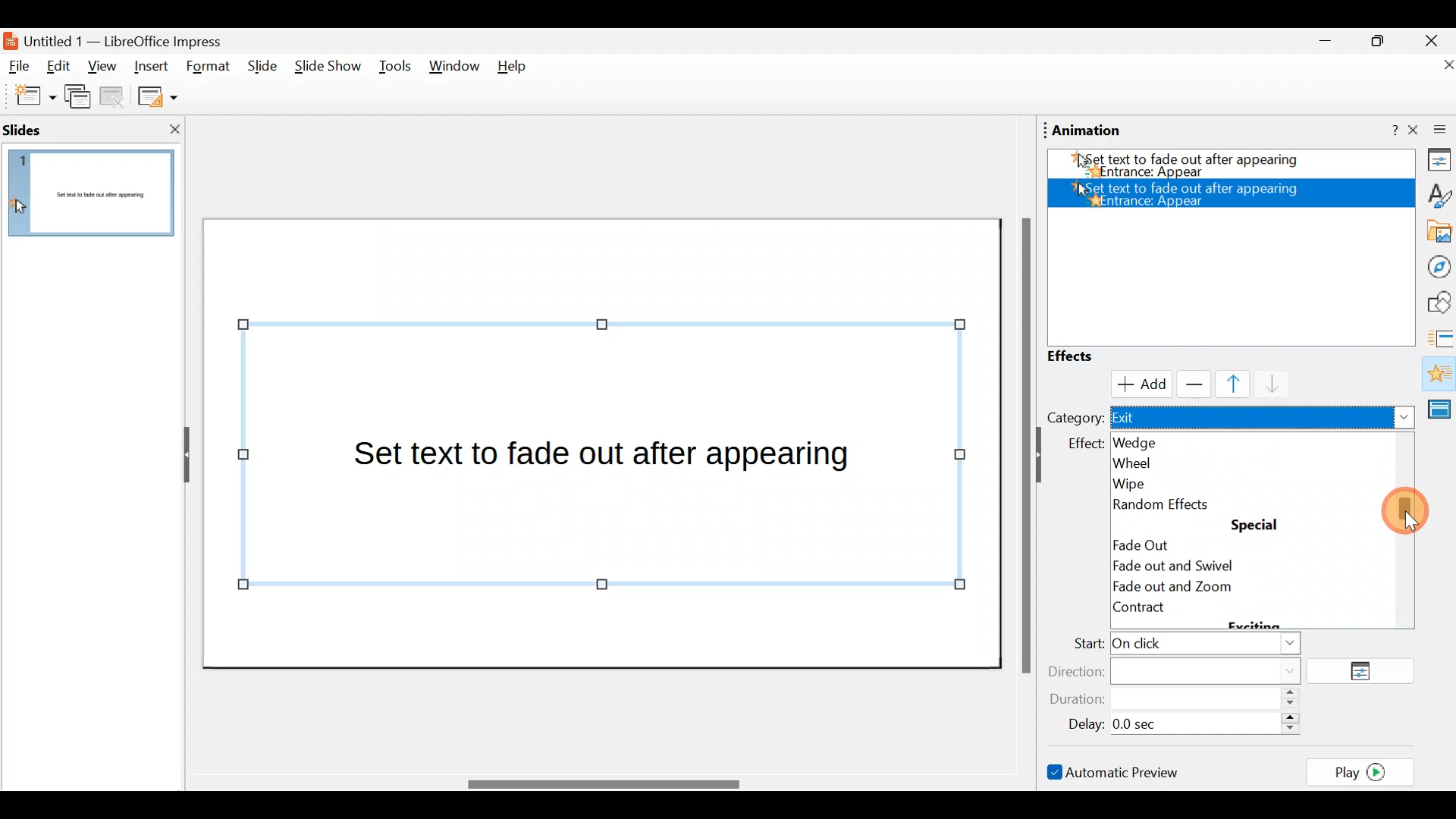  I want to click on Duration, so click(1179, 700).